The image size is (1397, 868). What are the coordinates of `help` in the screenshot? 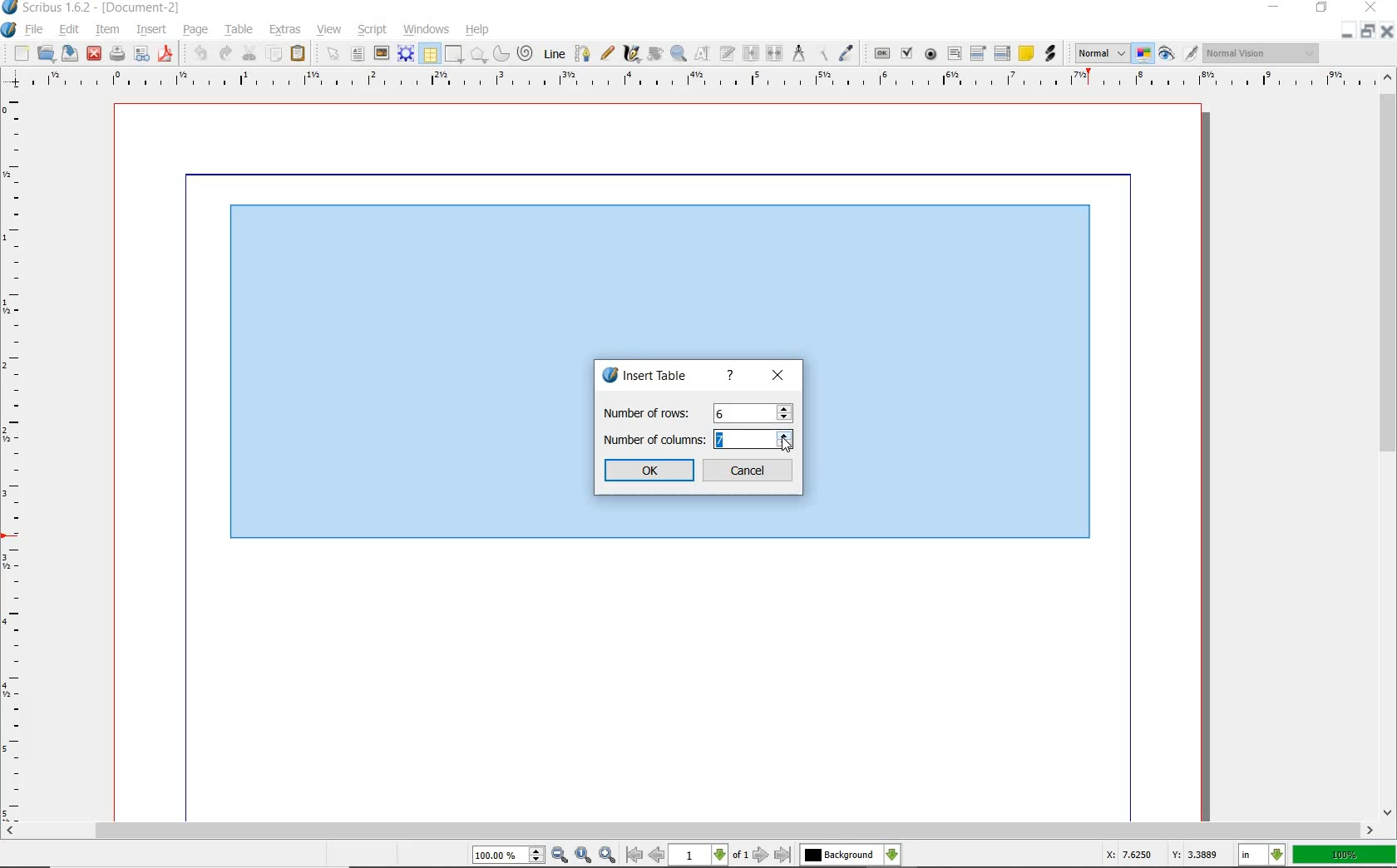 It's located at (480, 32).